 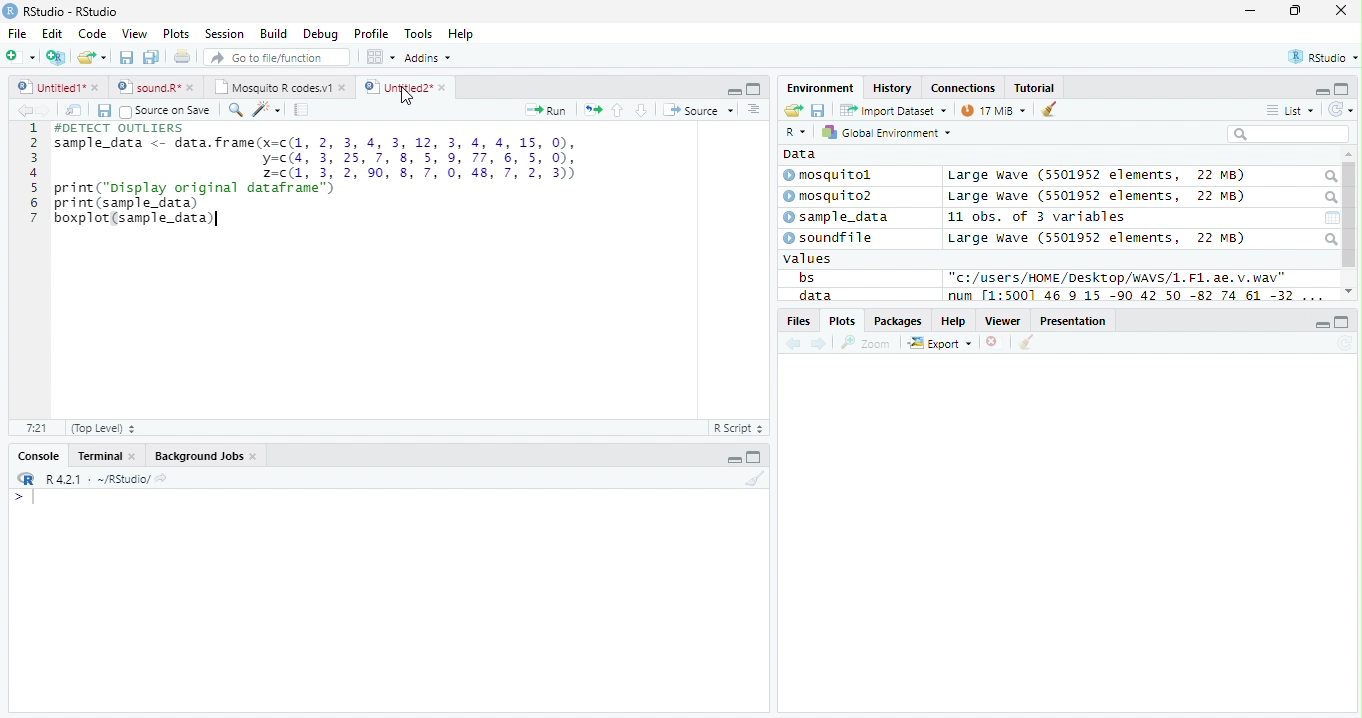 What do you see at coordinates (592, 110) in the screenshot?
I see `Re-run the previous code` at bounding box center [592, 110].